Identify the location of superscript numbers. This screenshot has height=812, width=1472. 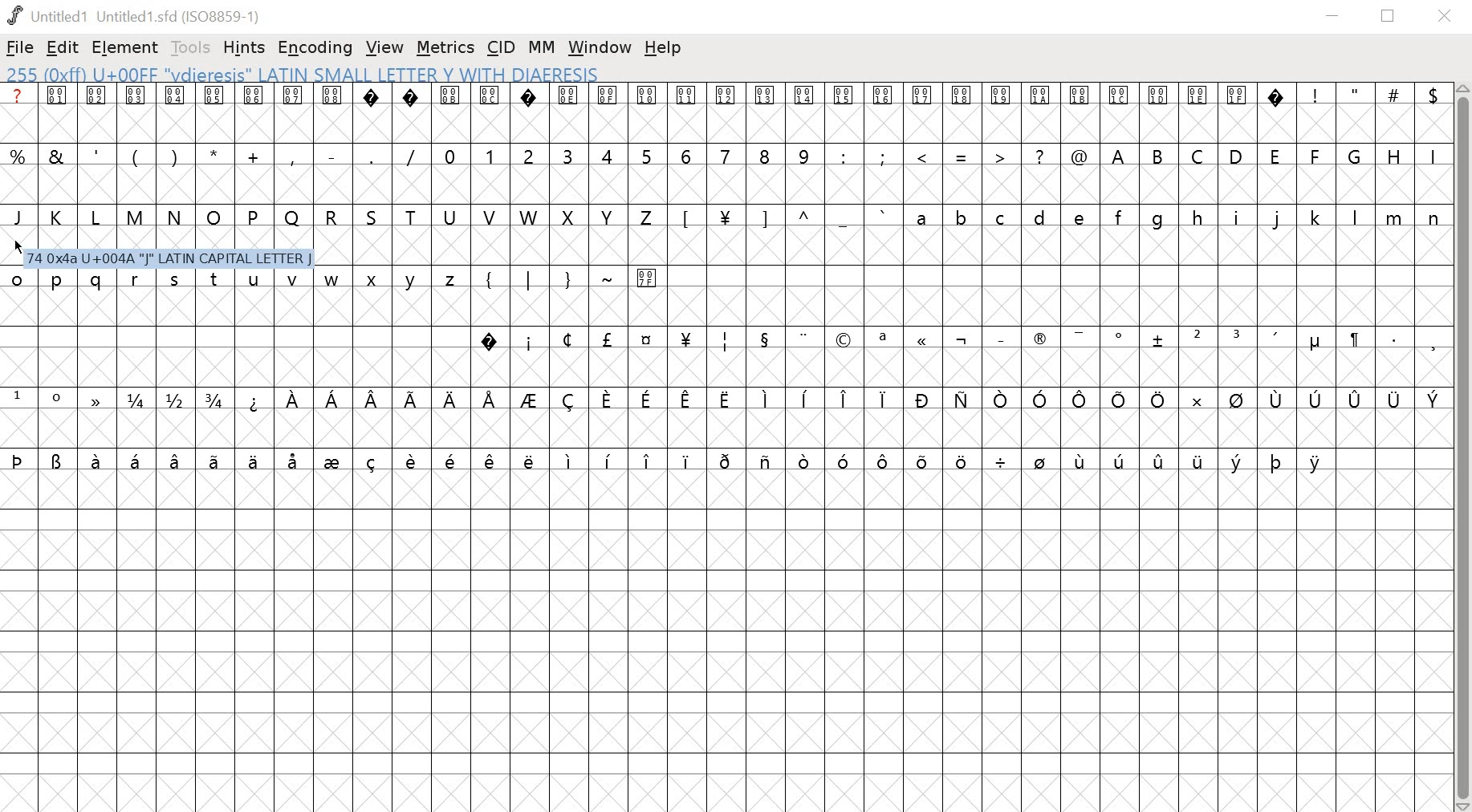
(38, 397).